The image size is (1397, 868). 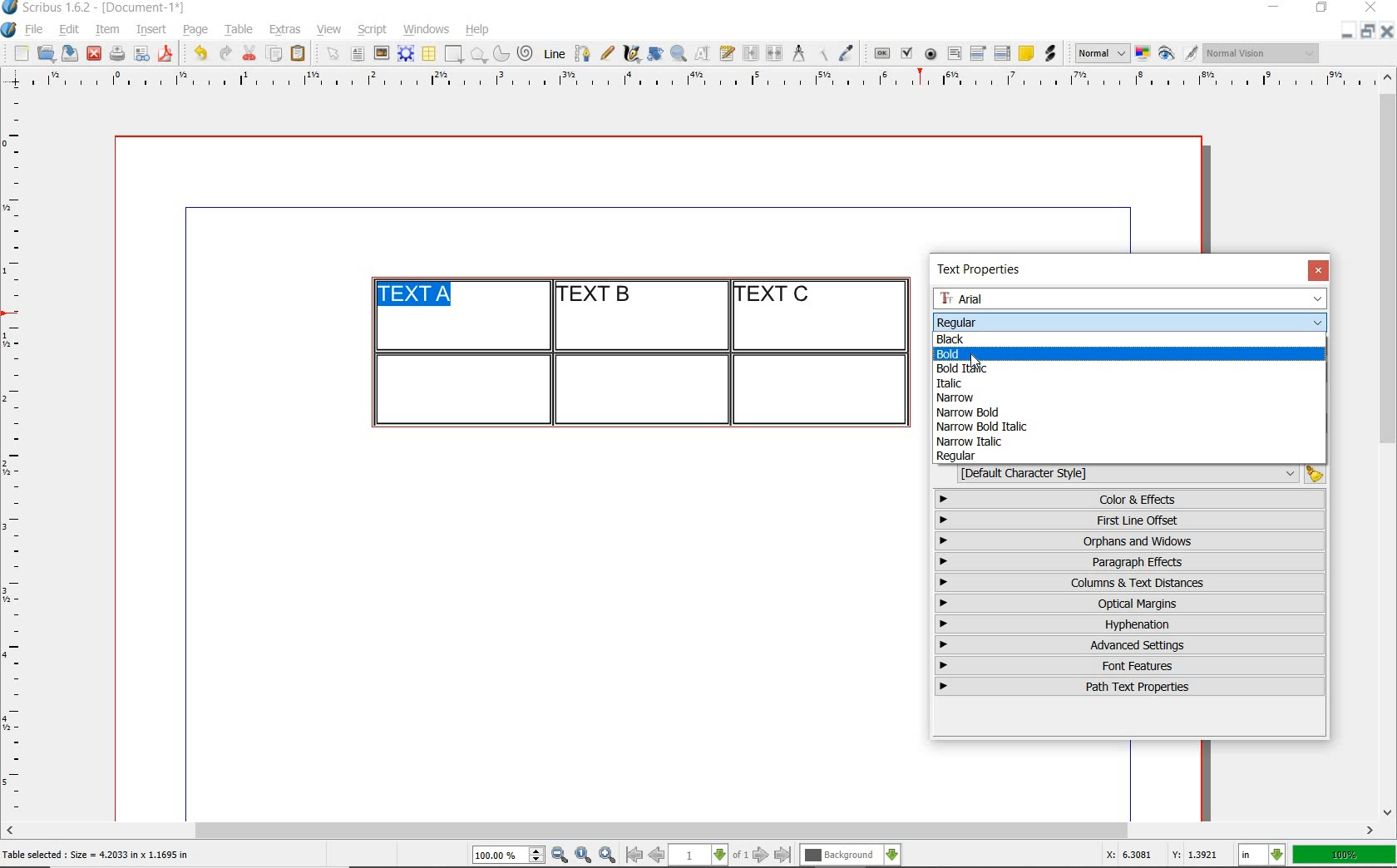 I want to click on zoom in, so click(x=608, y=856).